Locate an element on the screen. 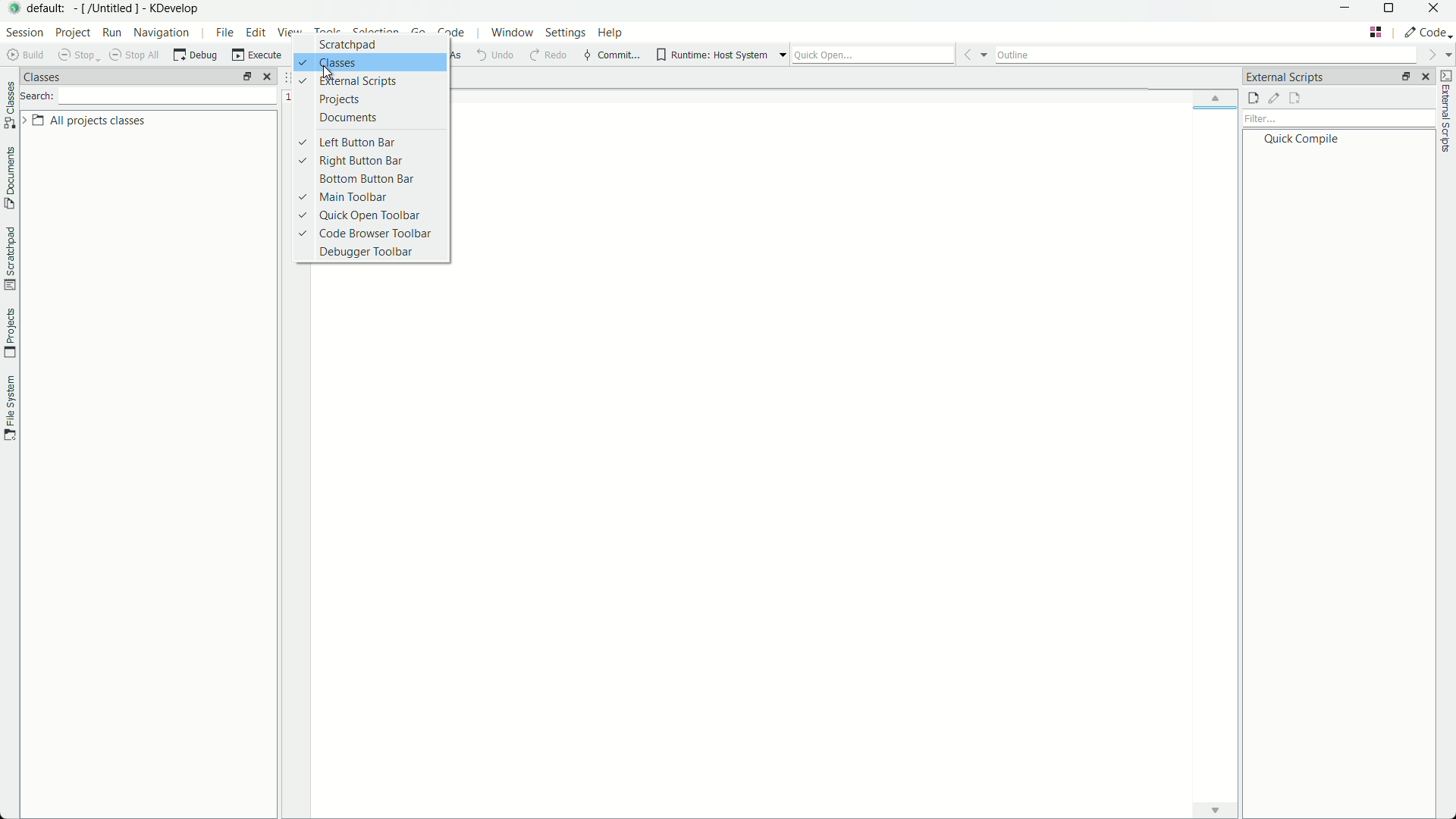 The image size is (1456, 819). shop all is located at coordinates (135, 55).